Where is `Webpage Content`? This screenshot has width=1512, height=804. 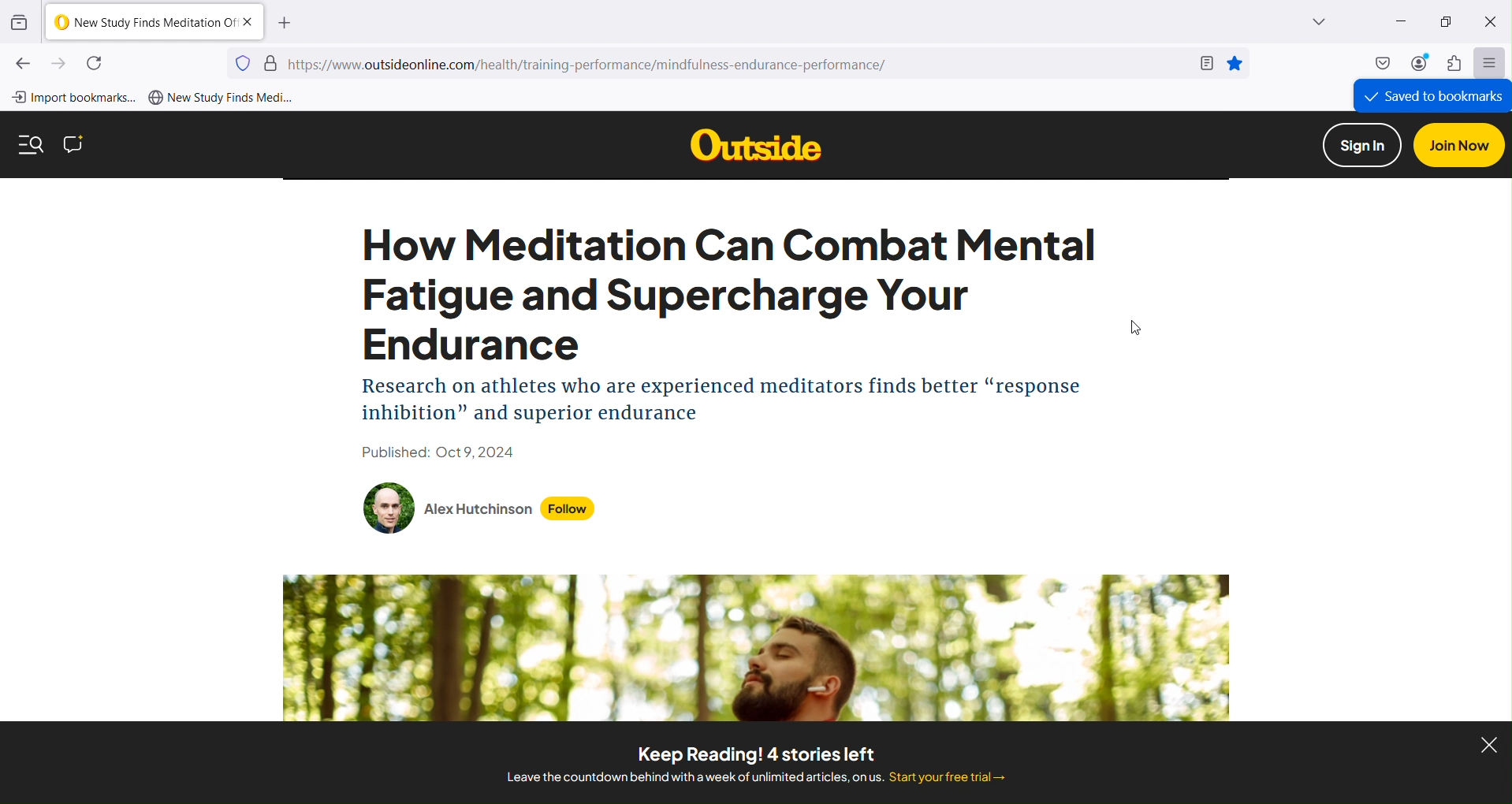
Webpage Content is located at coordinates (731, 345).